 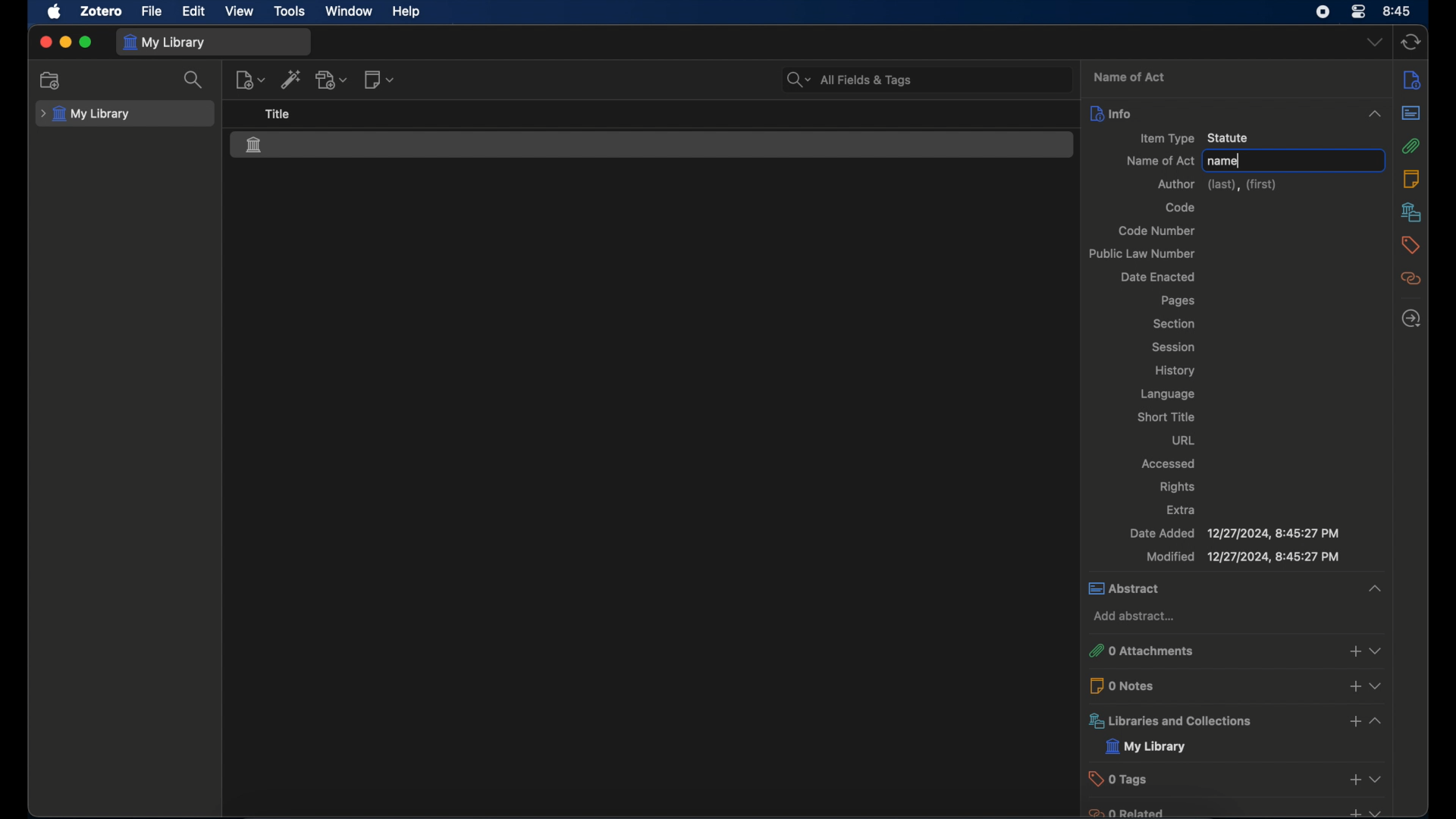 I want to click on rights, so click(x=1177, y=488).